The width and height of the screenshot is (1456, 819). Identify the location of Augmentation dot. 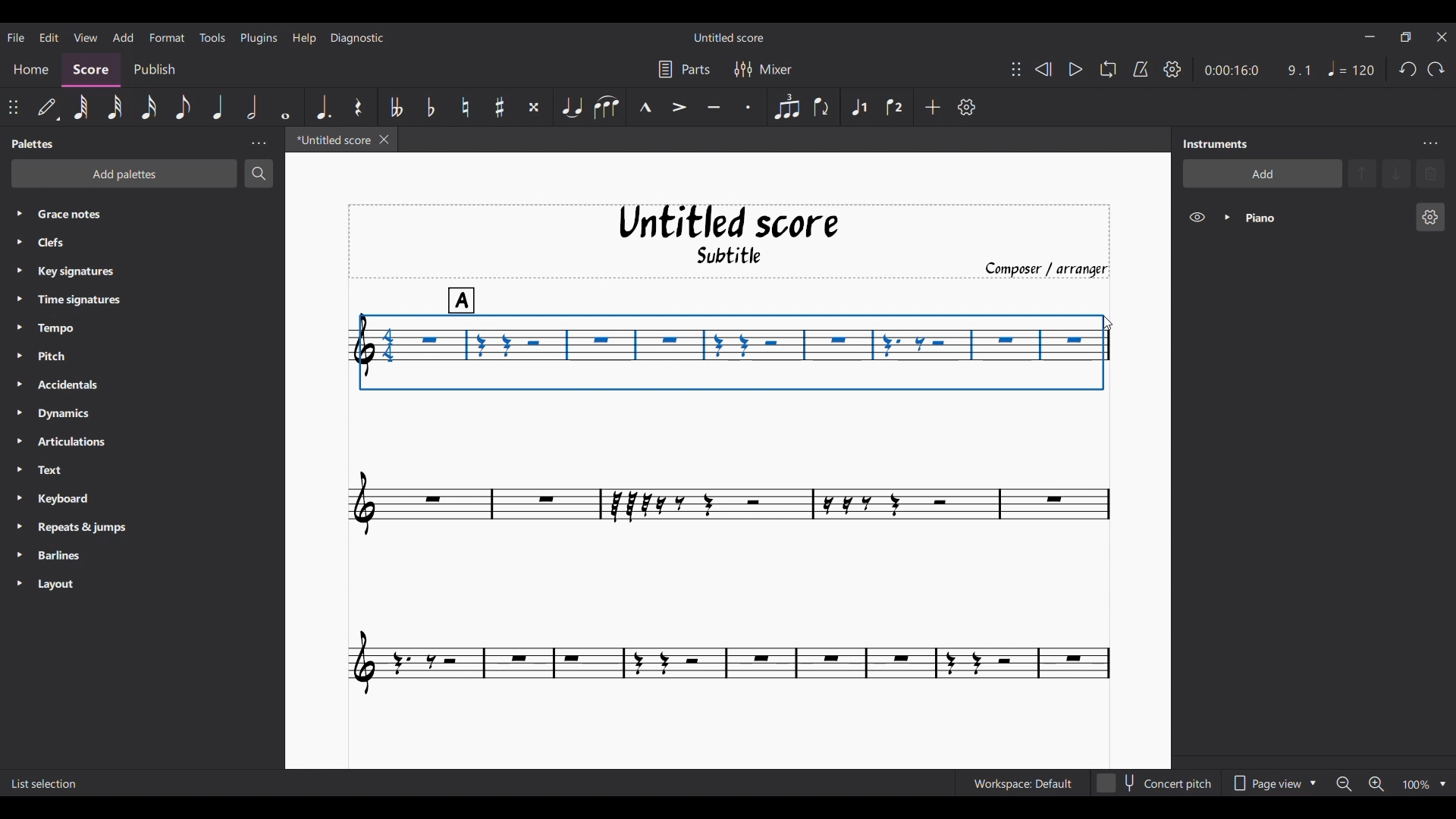
(323, 106).